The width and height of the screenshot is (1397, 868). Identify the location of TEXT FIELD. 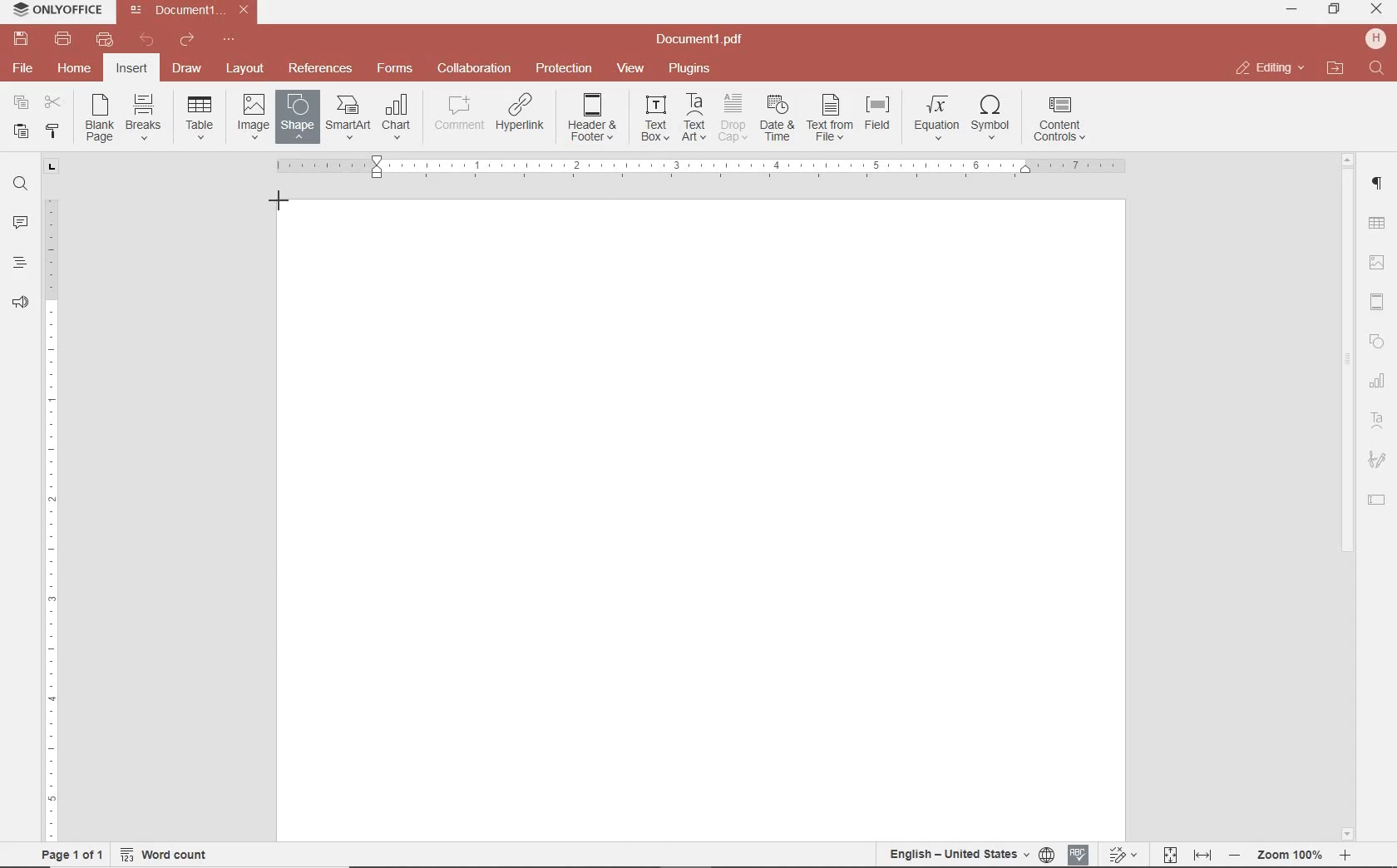
(1377, 499).